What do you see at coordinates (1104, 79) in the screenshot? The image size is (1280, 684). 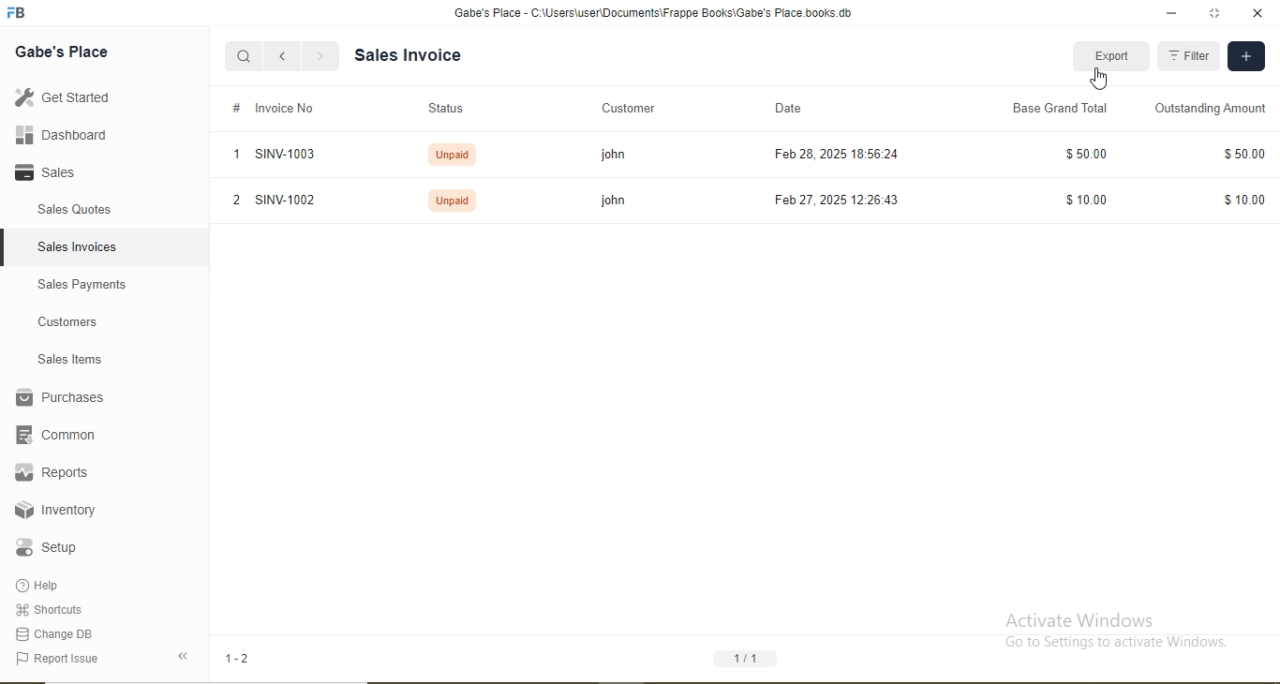 I see `cursor` at bounding box center [1104, 79].